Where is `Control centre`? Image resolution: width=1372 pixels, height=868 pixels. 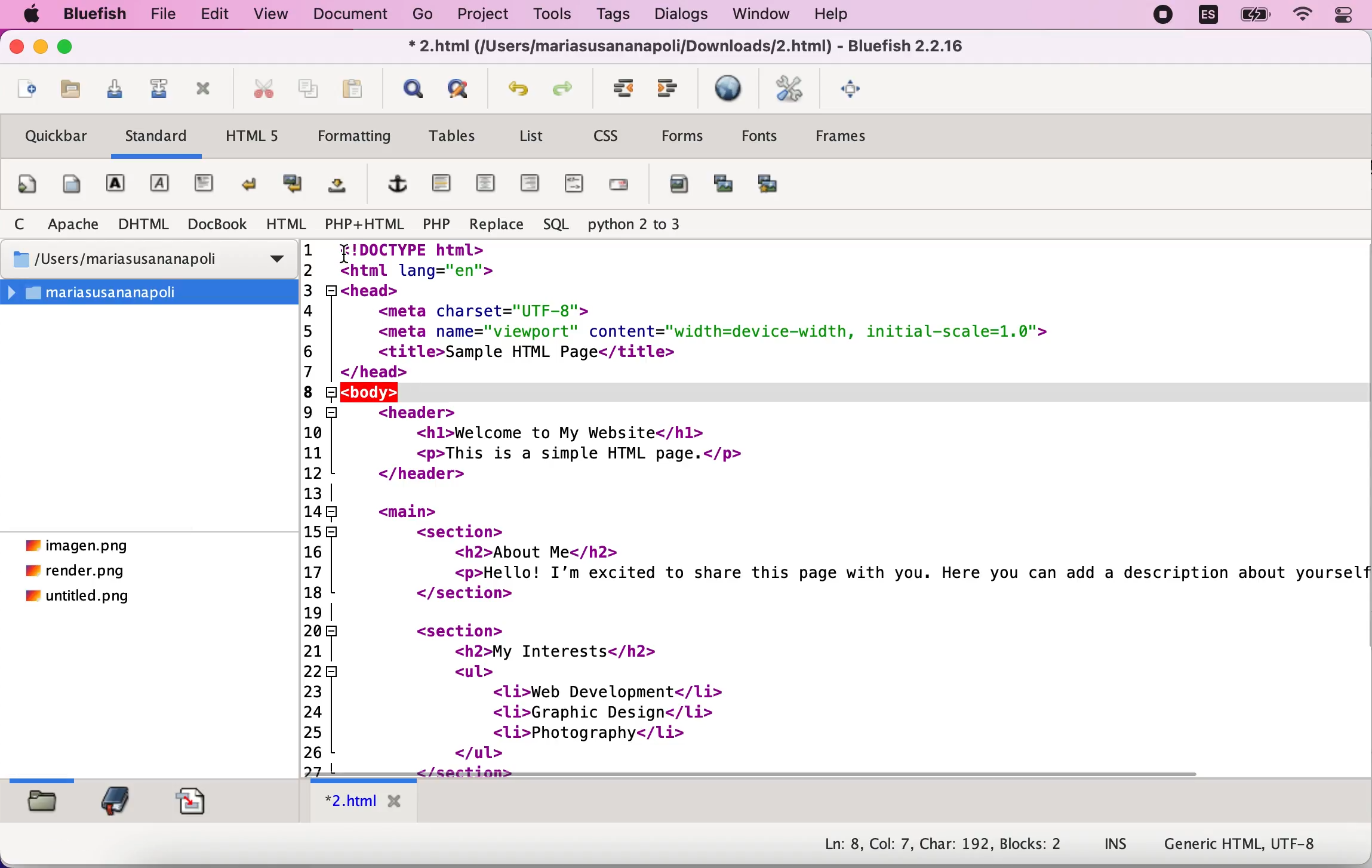
Control centre is located at coordinates (1344, 16).